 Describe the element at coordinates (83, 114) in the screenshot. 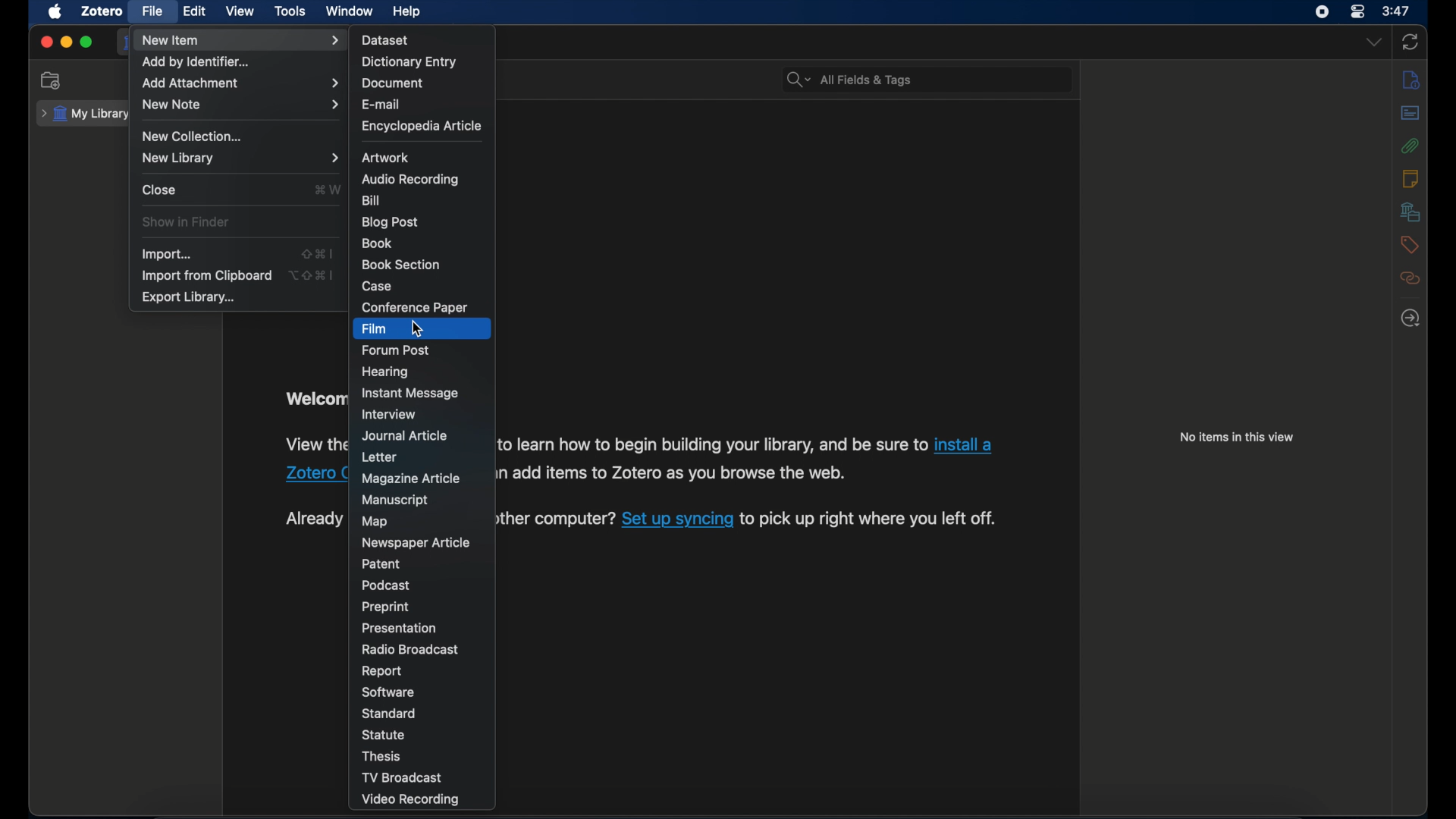

I see `my library` at that location.